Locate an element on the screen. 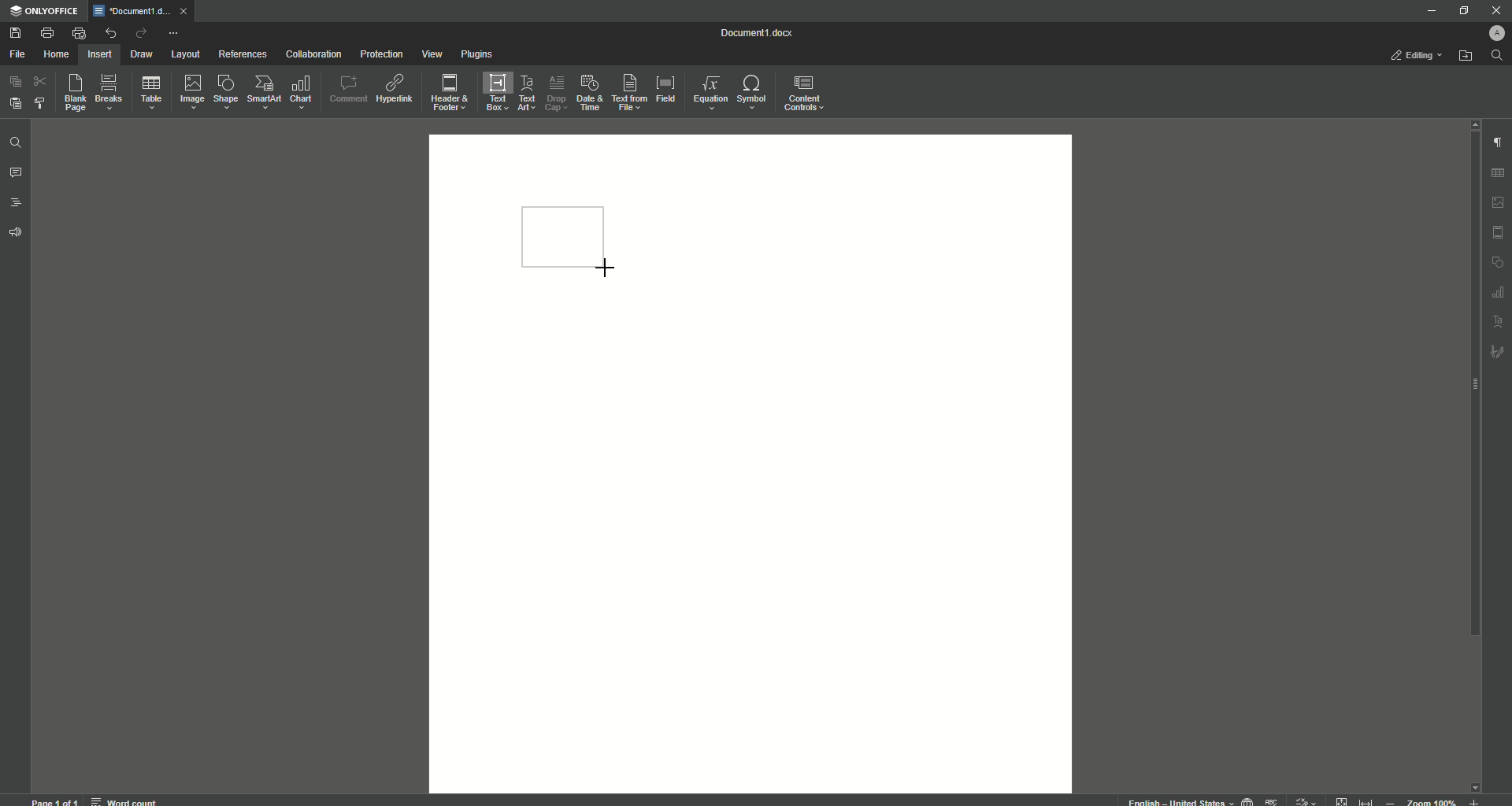 This screenshot has width=1512, height=806. scroll down is located at coordinates (1474, 783).